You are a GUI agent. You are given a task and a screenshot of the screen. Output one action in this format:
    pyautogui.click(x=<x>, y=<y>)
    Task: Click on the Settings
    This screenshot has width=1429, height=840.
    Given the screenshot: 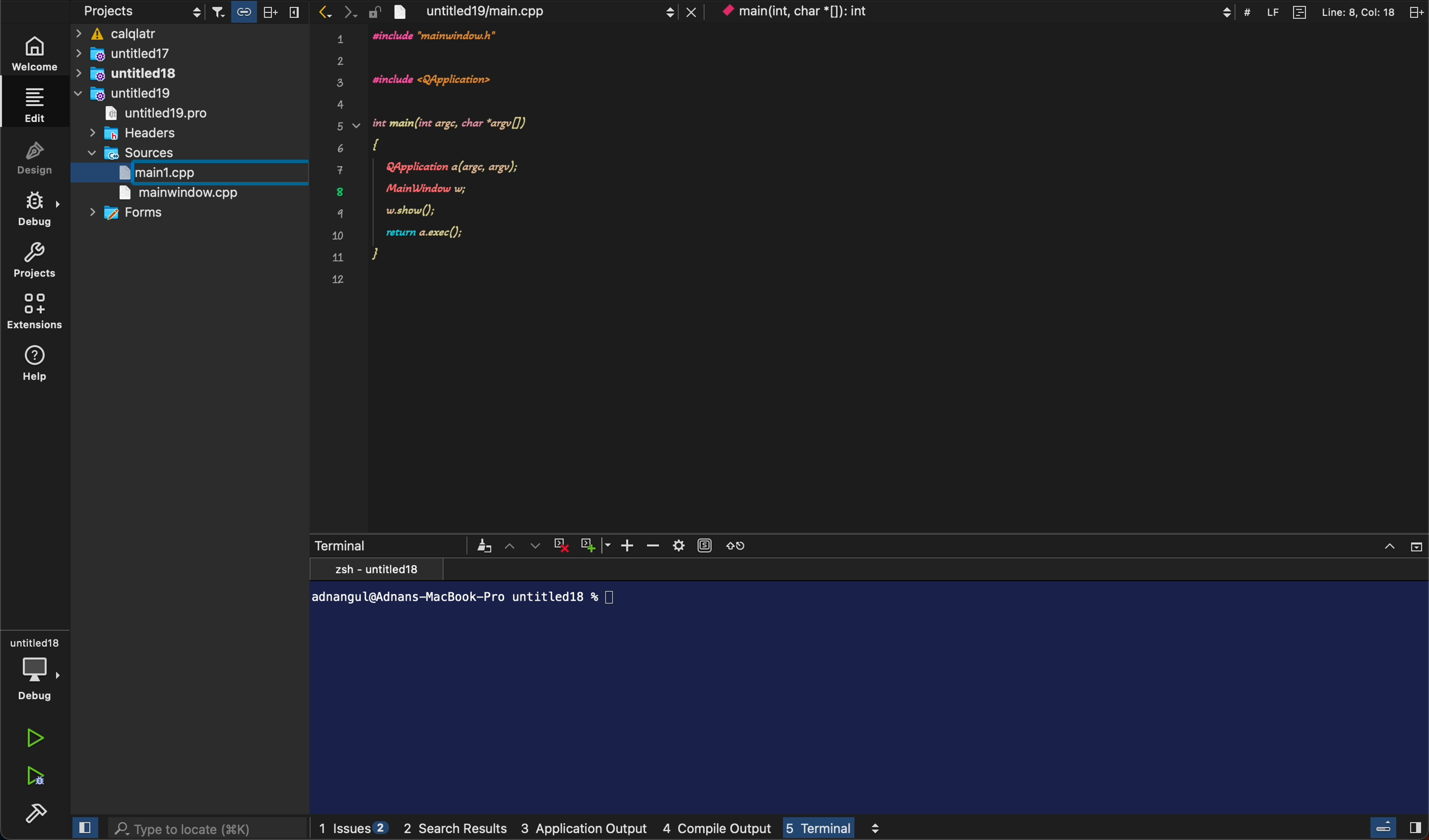 What is the action you would take?
    pyautogui.click(x=678, y=544)
    